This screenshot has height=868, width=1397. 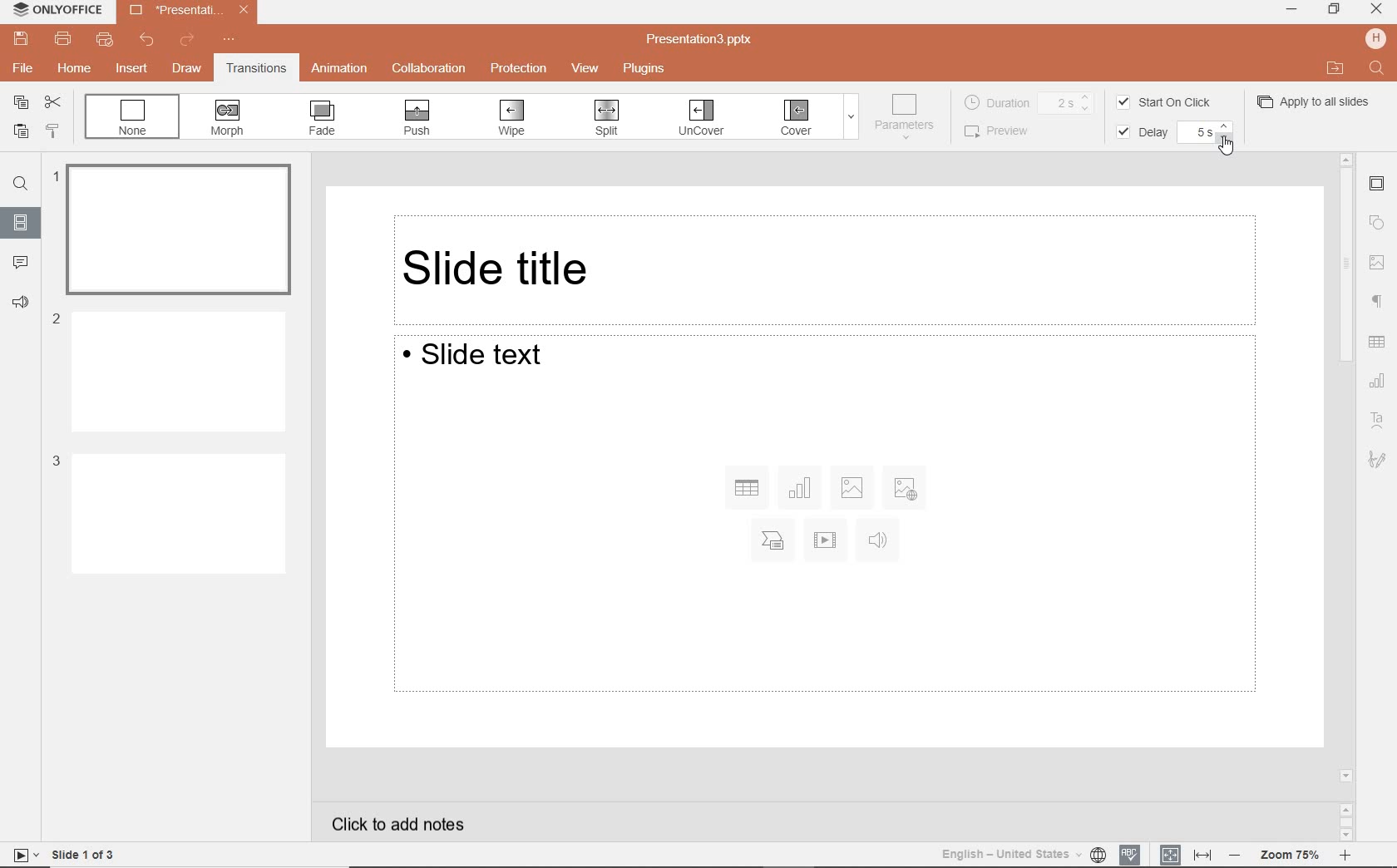 I want to click on view, so click(x=587, y=70).